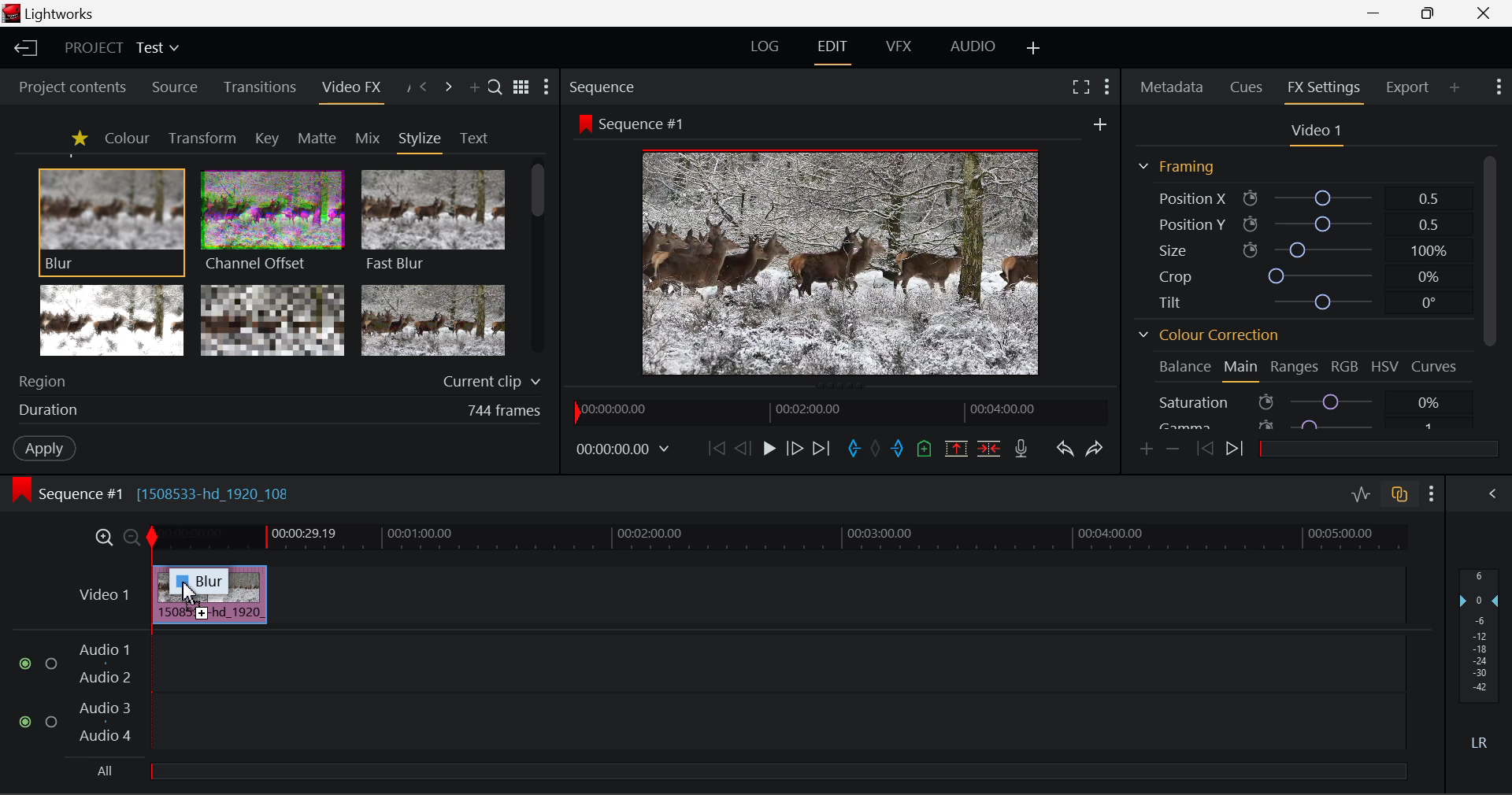  What do you see at coordinates (1295, 368) in the screenshot?
I see `Ranges` at bounding box center [1295, 368].